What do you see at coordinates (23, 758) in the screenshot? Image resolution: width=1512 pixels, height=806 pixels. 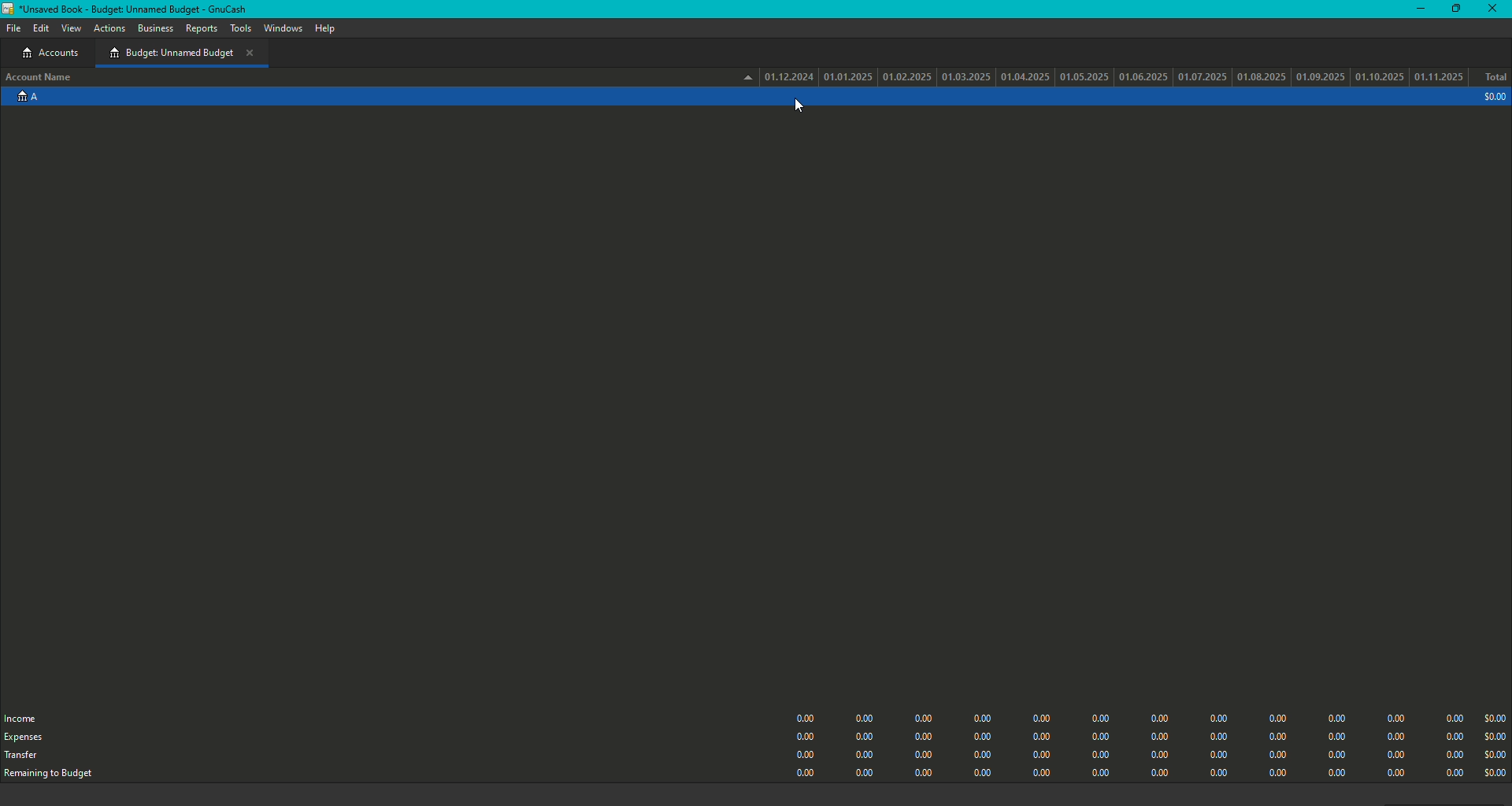 I see `Transfer` at bounding box center [23, 758].